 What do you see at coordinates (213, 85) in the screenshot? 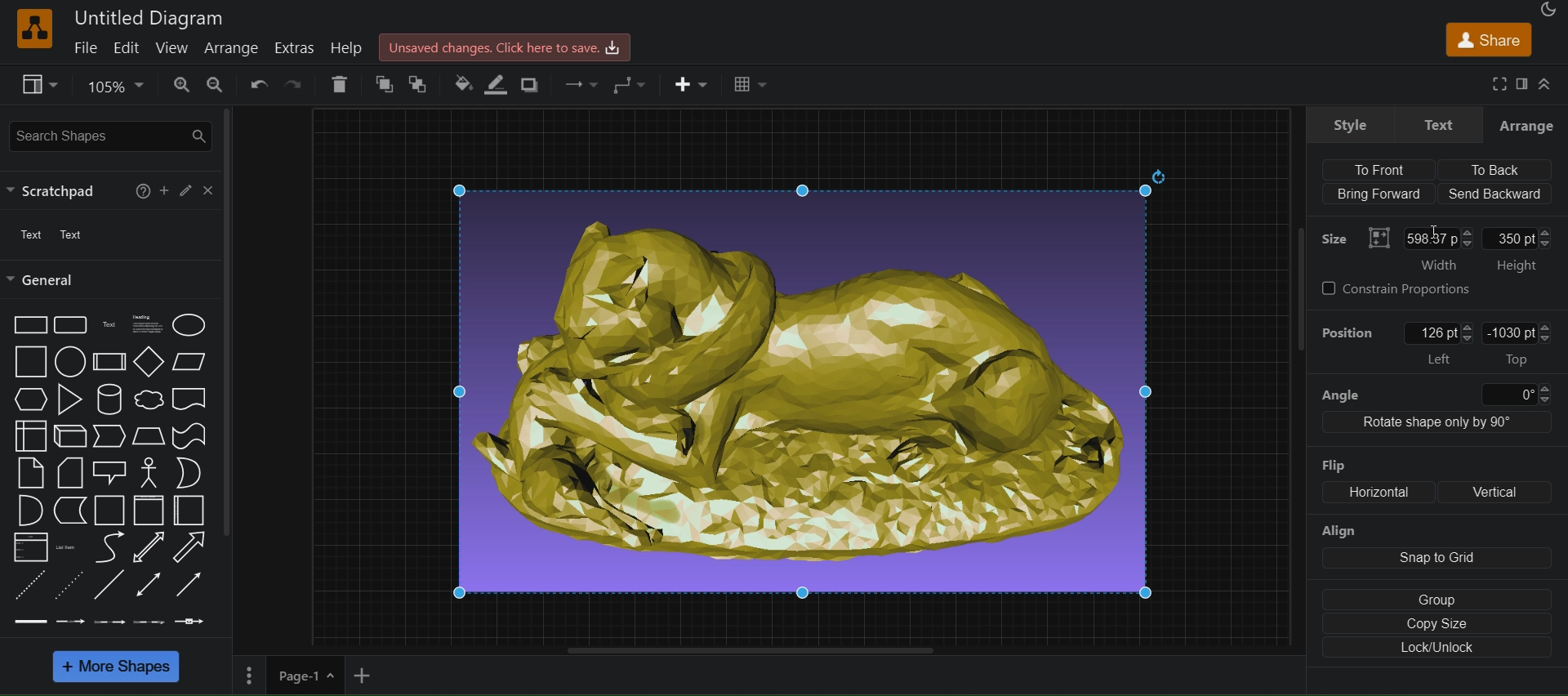
I see `zoom out` at bounding box center [213, 85].